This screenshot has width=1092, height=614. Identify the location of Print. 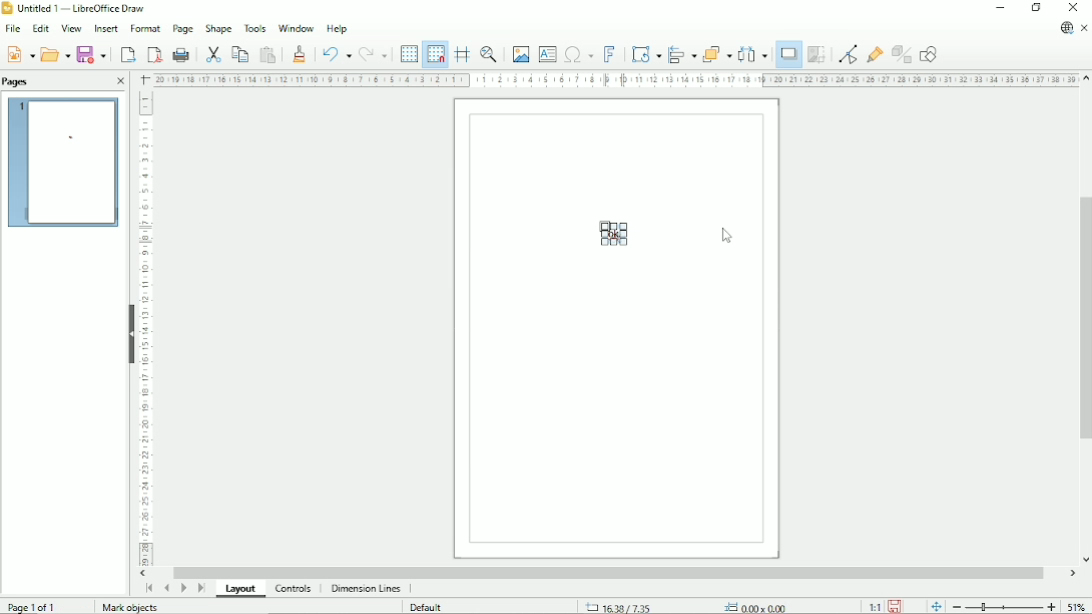
(182, 55).